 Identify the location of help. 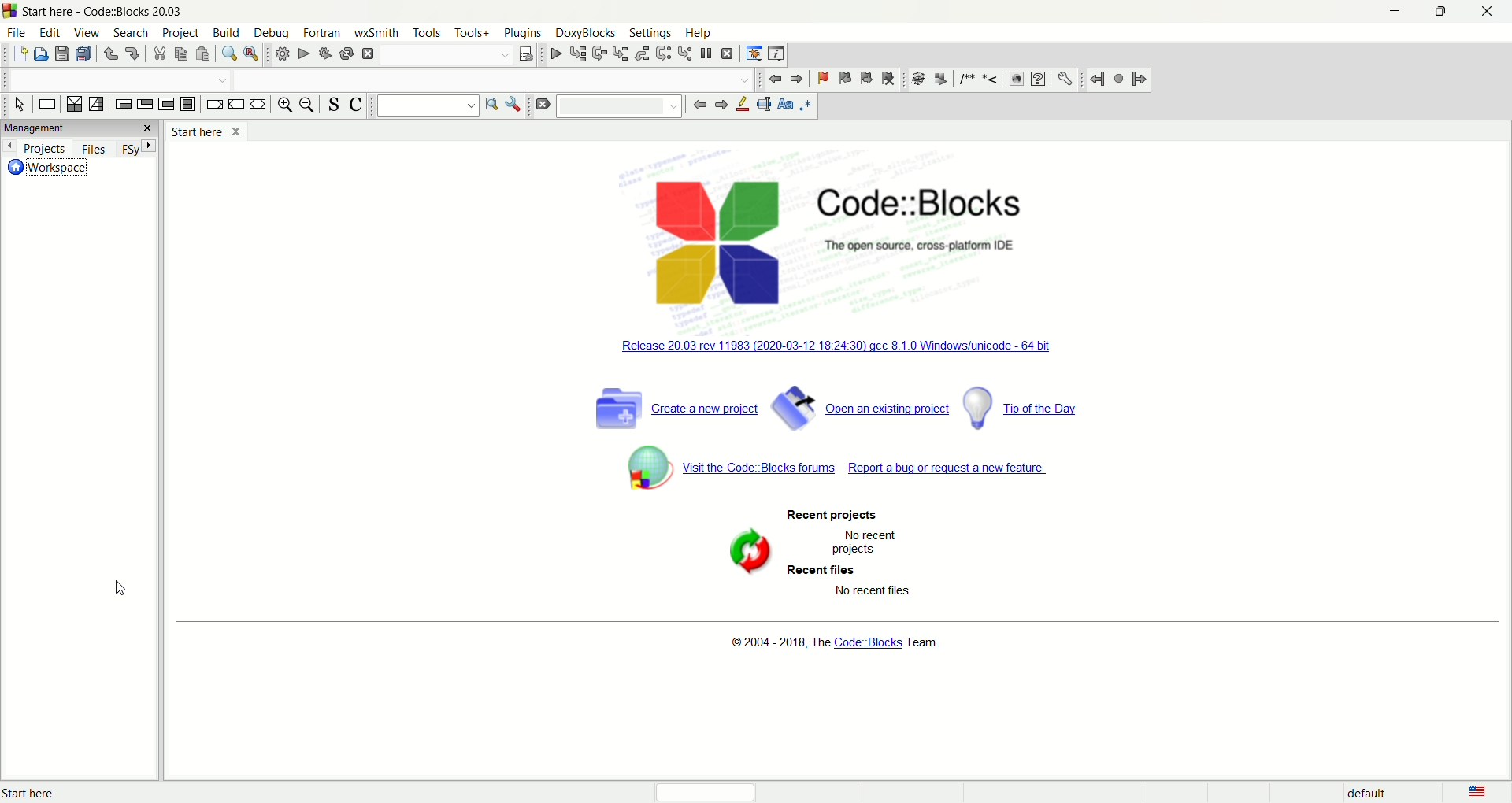
(1039, 80).